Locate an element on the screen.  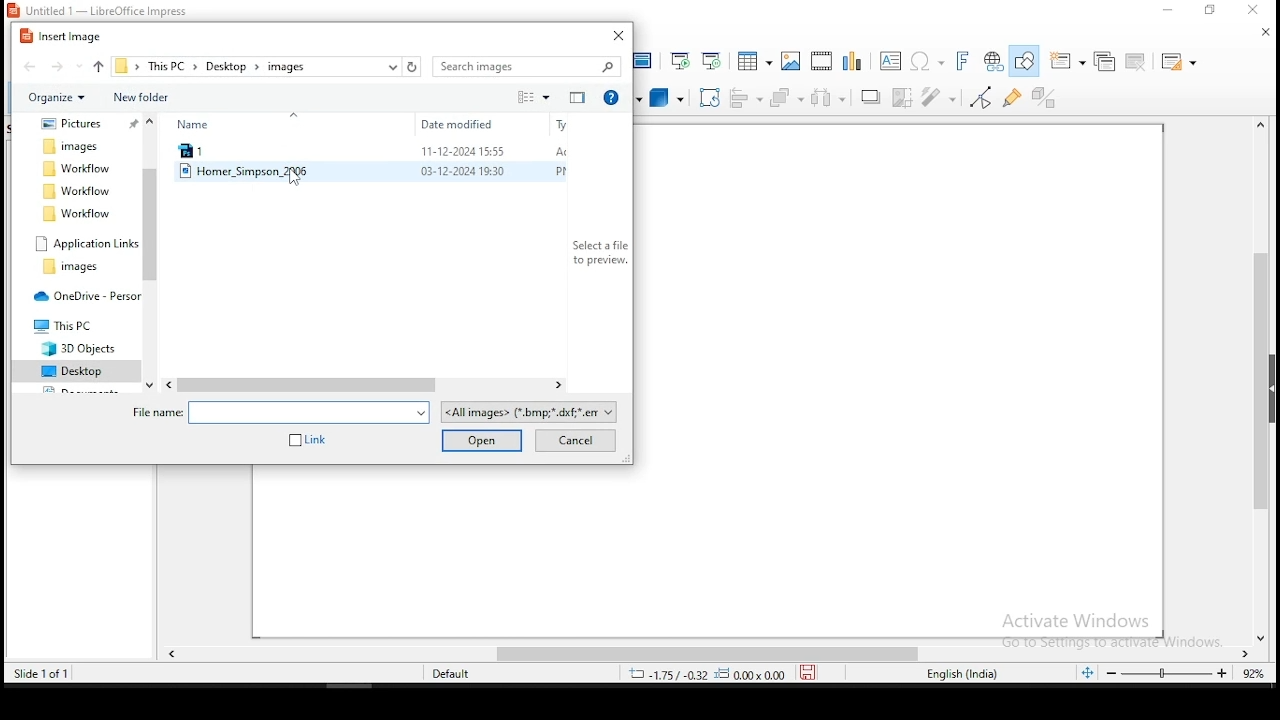
92% is located at coordinates (1257, 675).